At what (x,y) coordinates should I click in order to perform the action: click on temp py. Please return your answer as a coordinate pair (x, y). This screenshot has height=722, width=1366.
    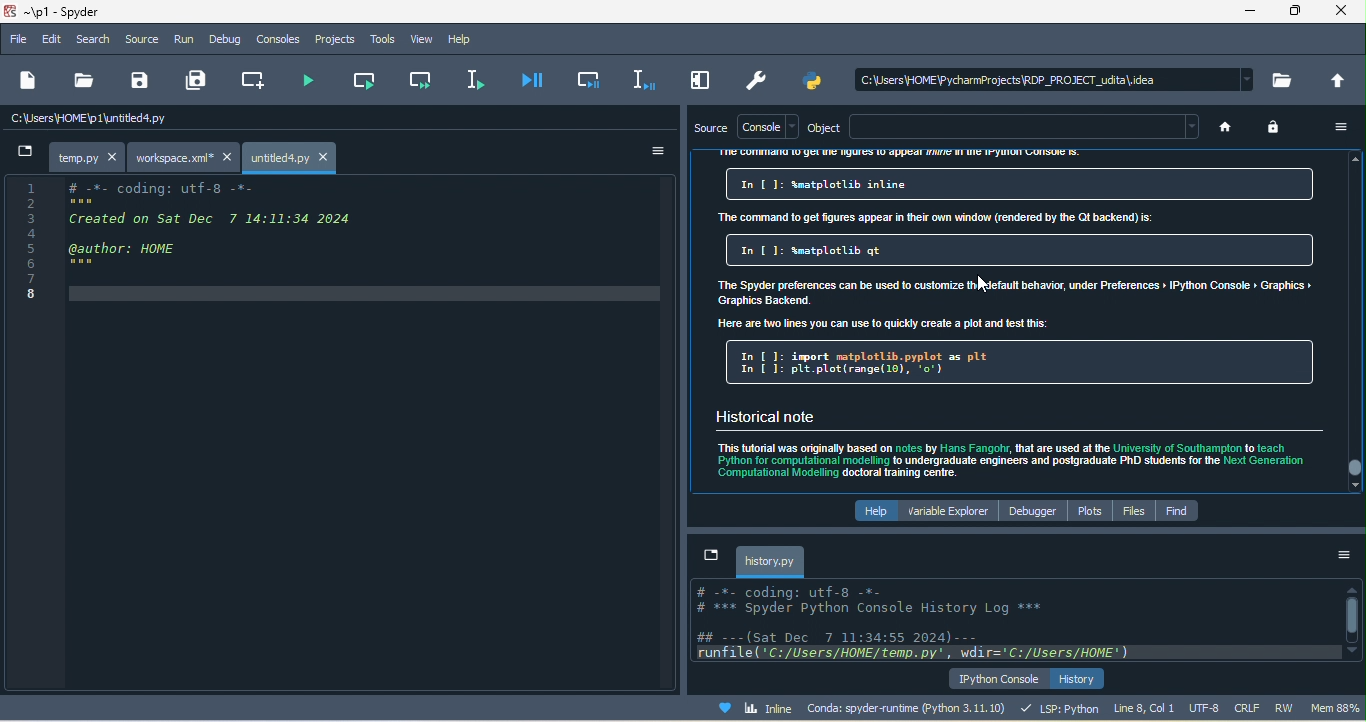
    Looking at the image, I should click on (69, 158).